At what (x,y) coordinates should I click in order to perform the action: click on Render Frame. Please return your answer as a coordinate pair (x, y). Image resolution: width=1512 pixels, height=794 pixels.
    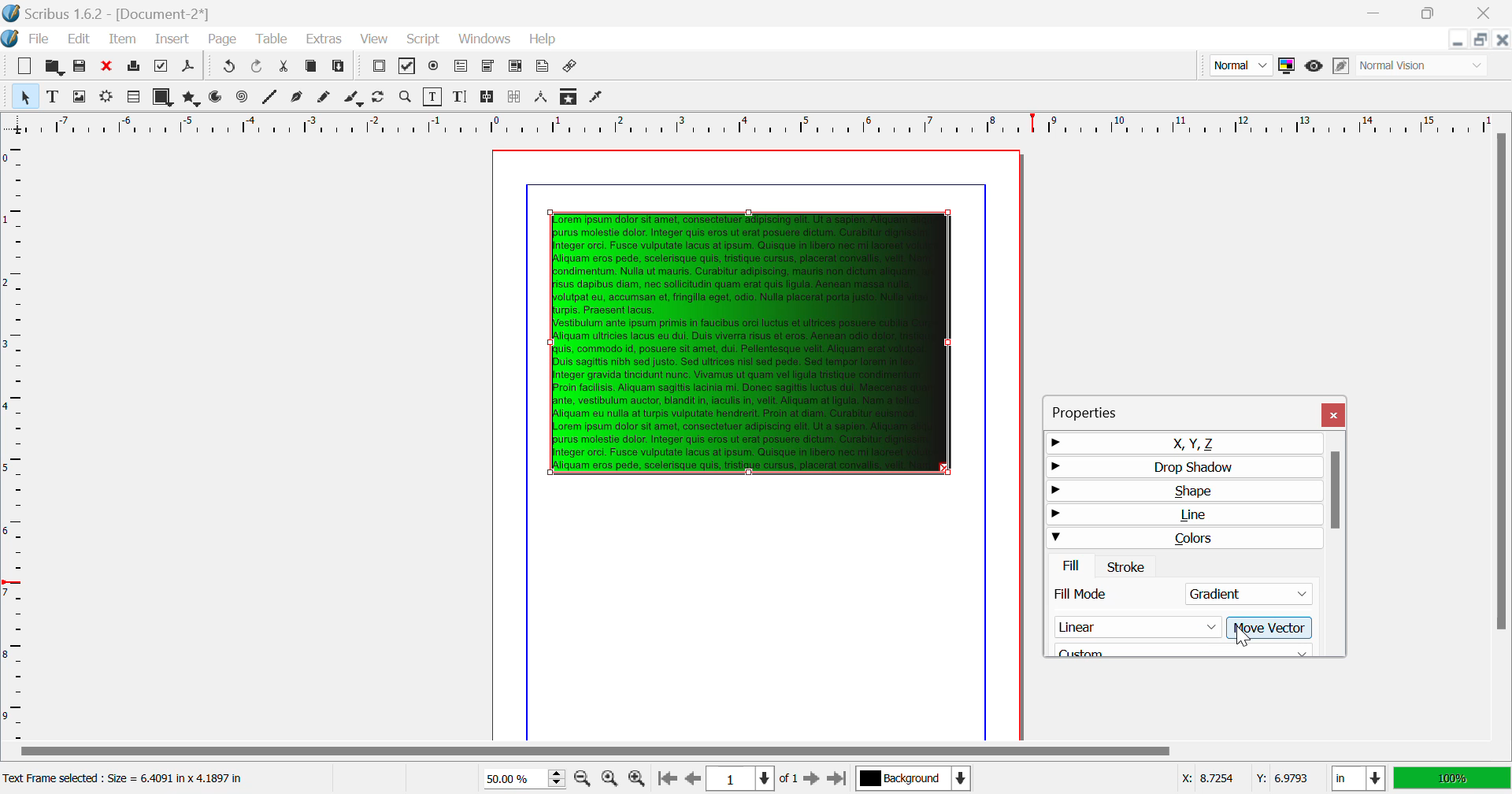
    Looking at the image, I should click on (132, 98).